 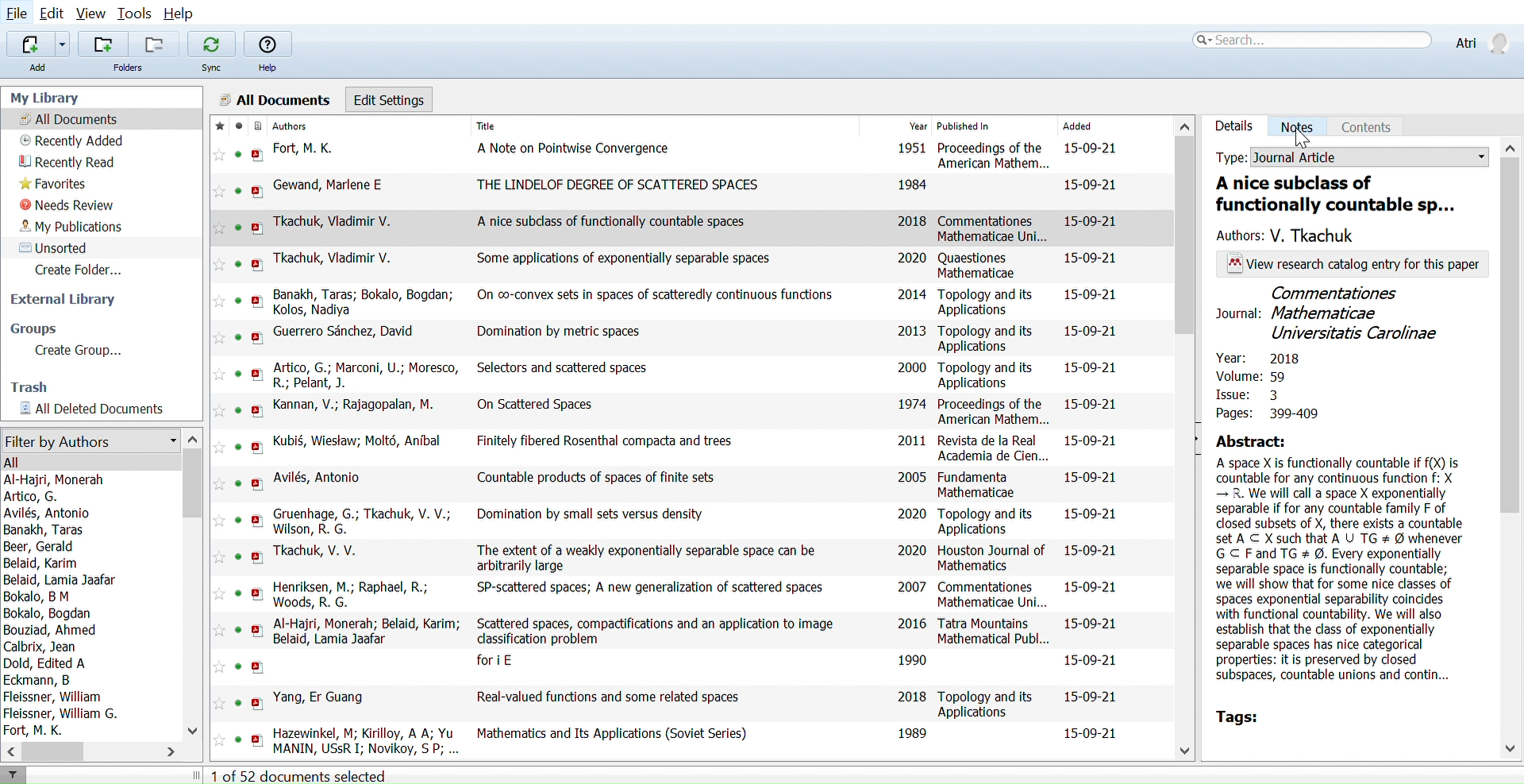 What do you see at coordinates (257, 521) in the screenshot?
I see `open PDF` at bounding box center [257, 521].